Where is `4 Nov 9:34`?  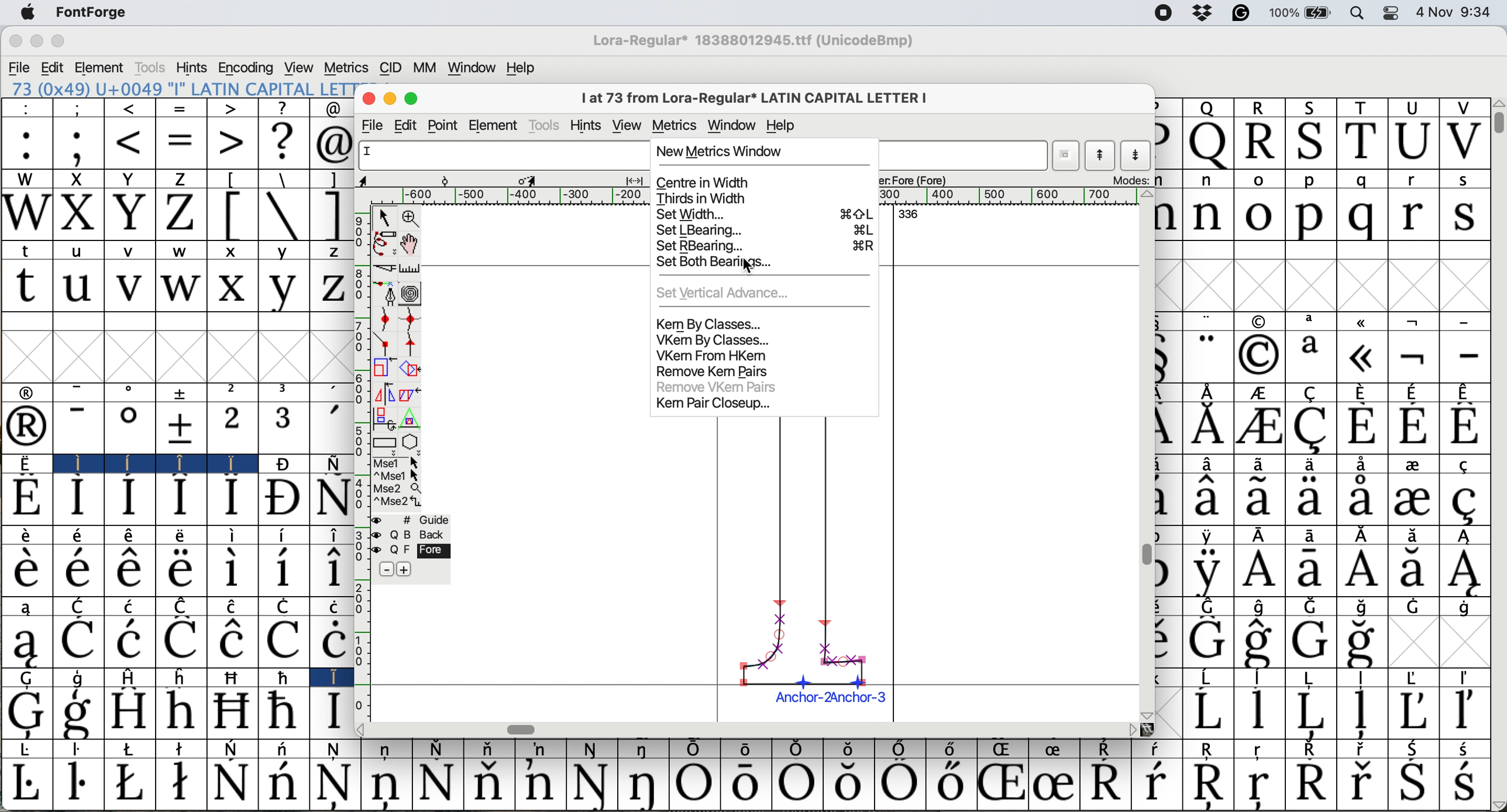 4 Nov 9:34 is located at coordinates (1456, 12).